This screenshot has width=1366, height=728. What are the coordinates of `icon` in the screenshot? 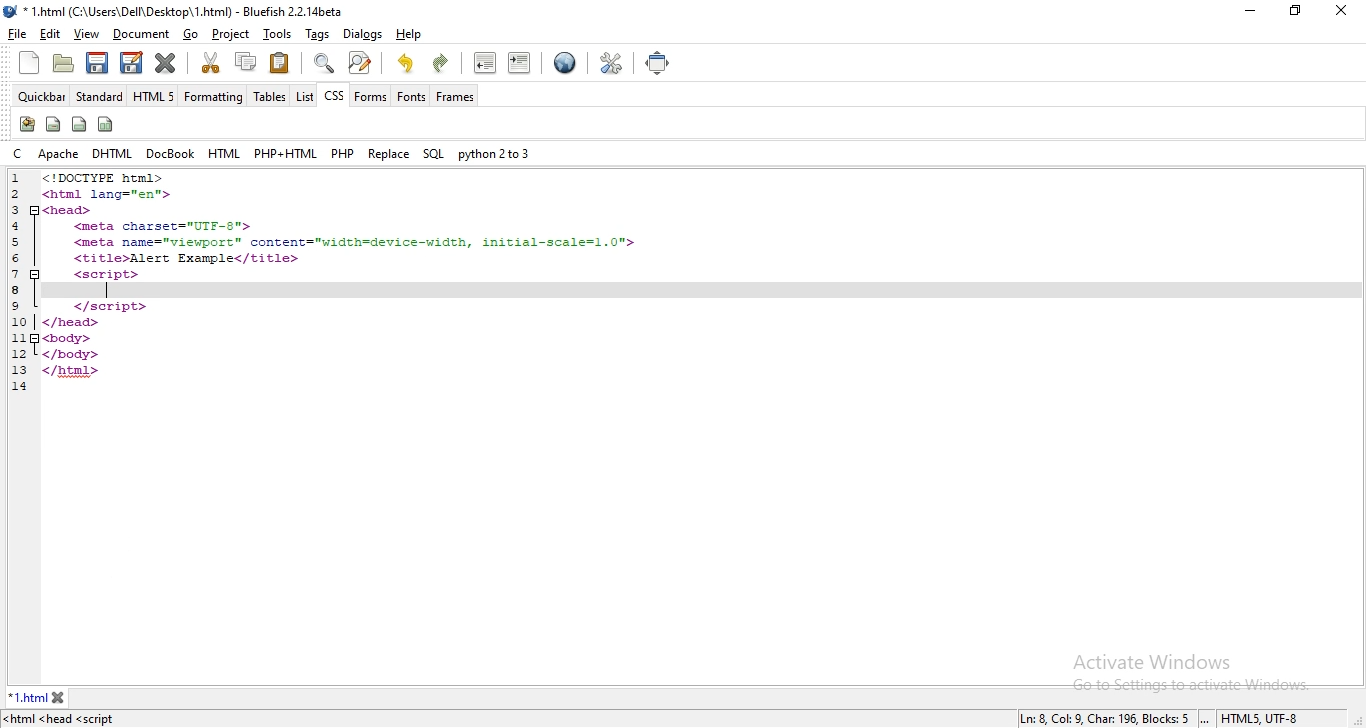 It's located at (26, 125).